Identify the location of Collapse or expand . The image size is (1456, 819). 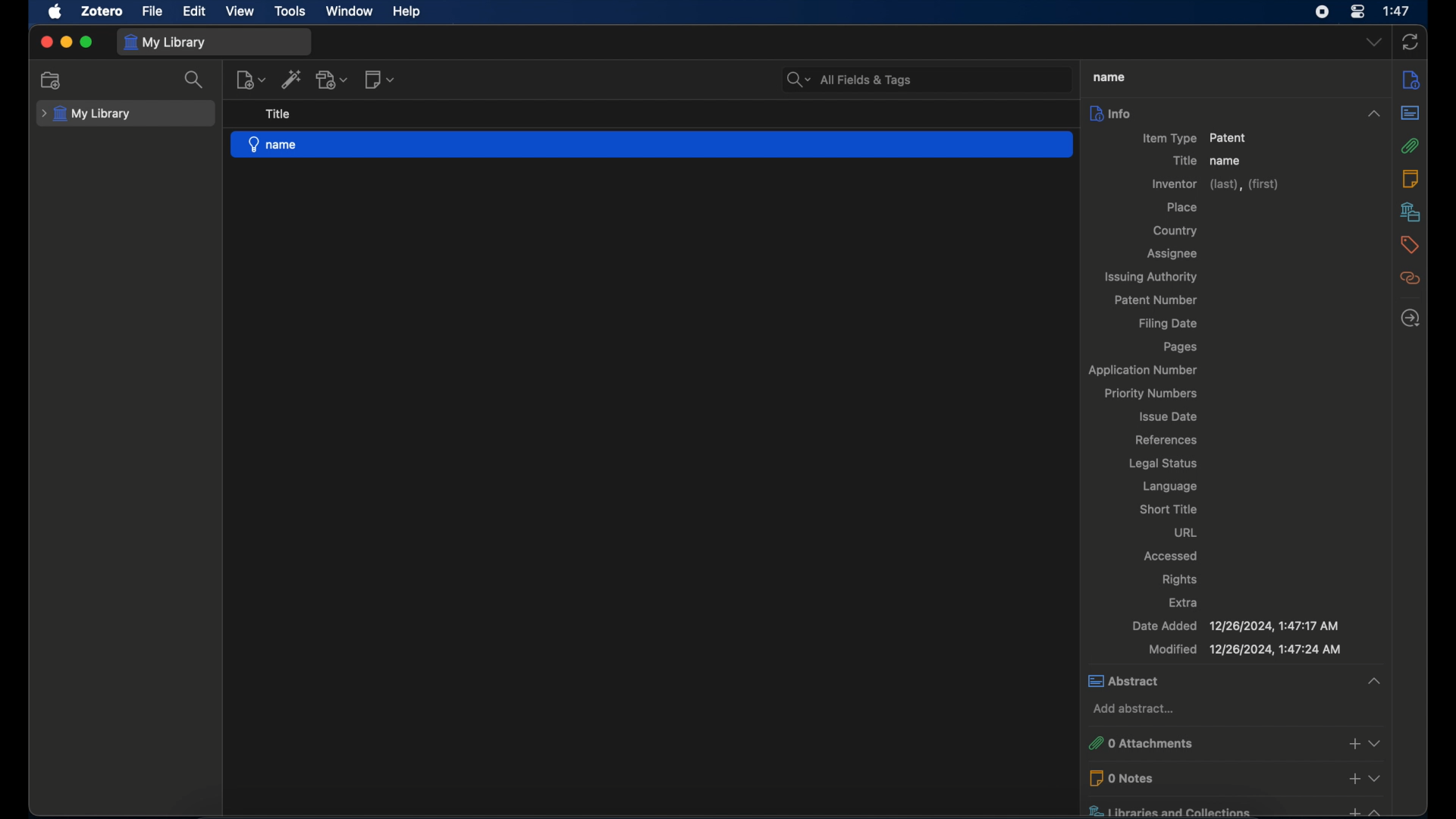
(1379, 809).